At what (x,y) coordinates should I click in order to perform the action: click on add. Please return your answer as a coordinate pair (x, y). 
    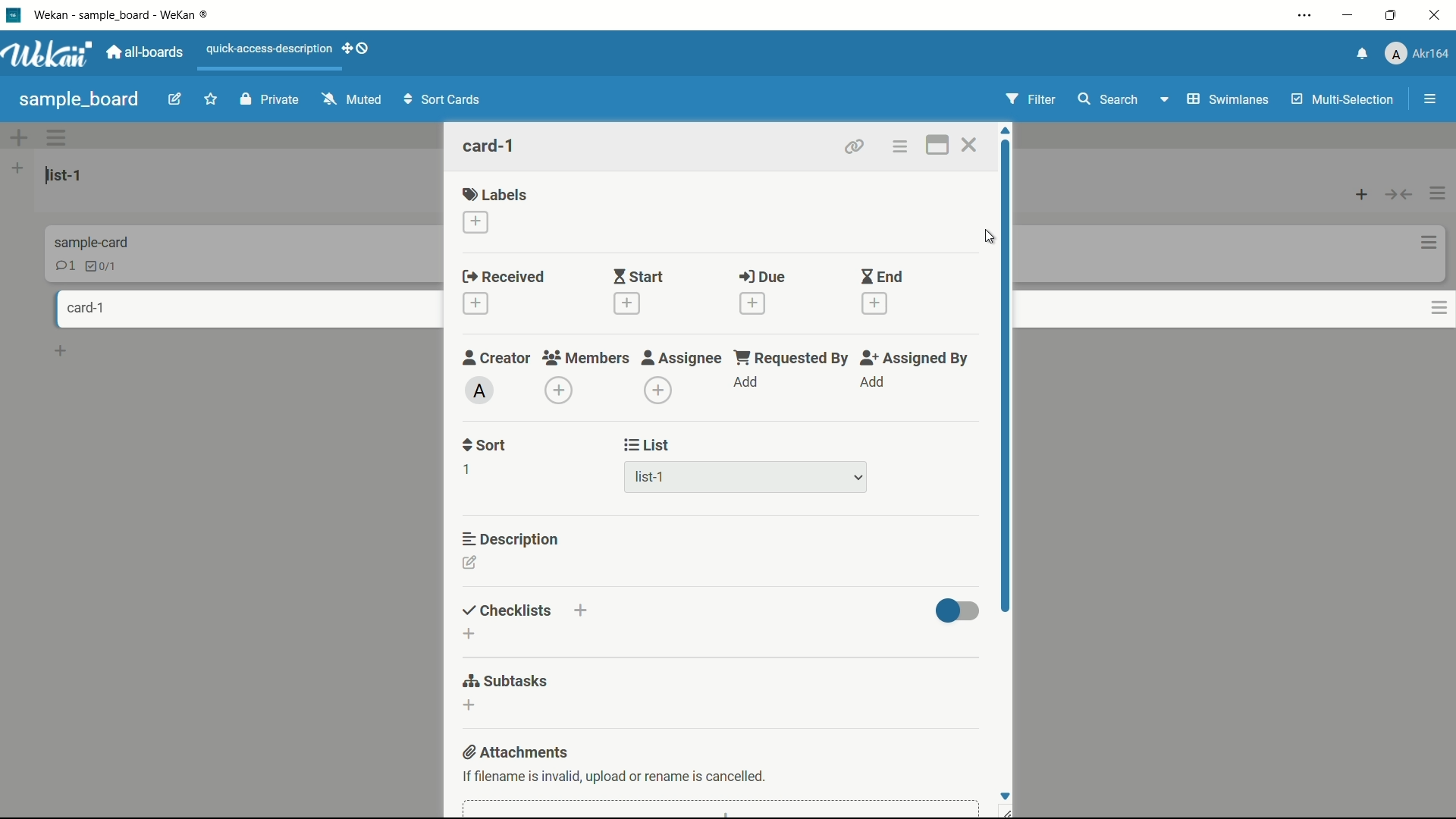
    Looking at the image, I should click on (868, 393).